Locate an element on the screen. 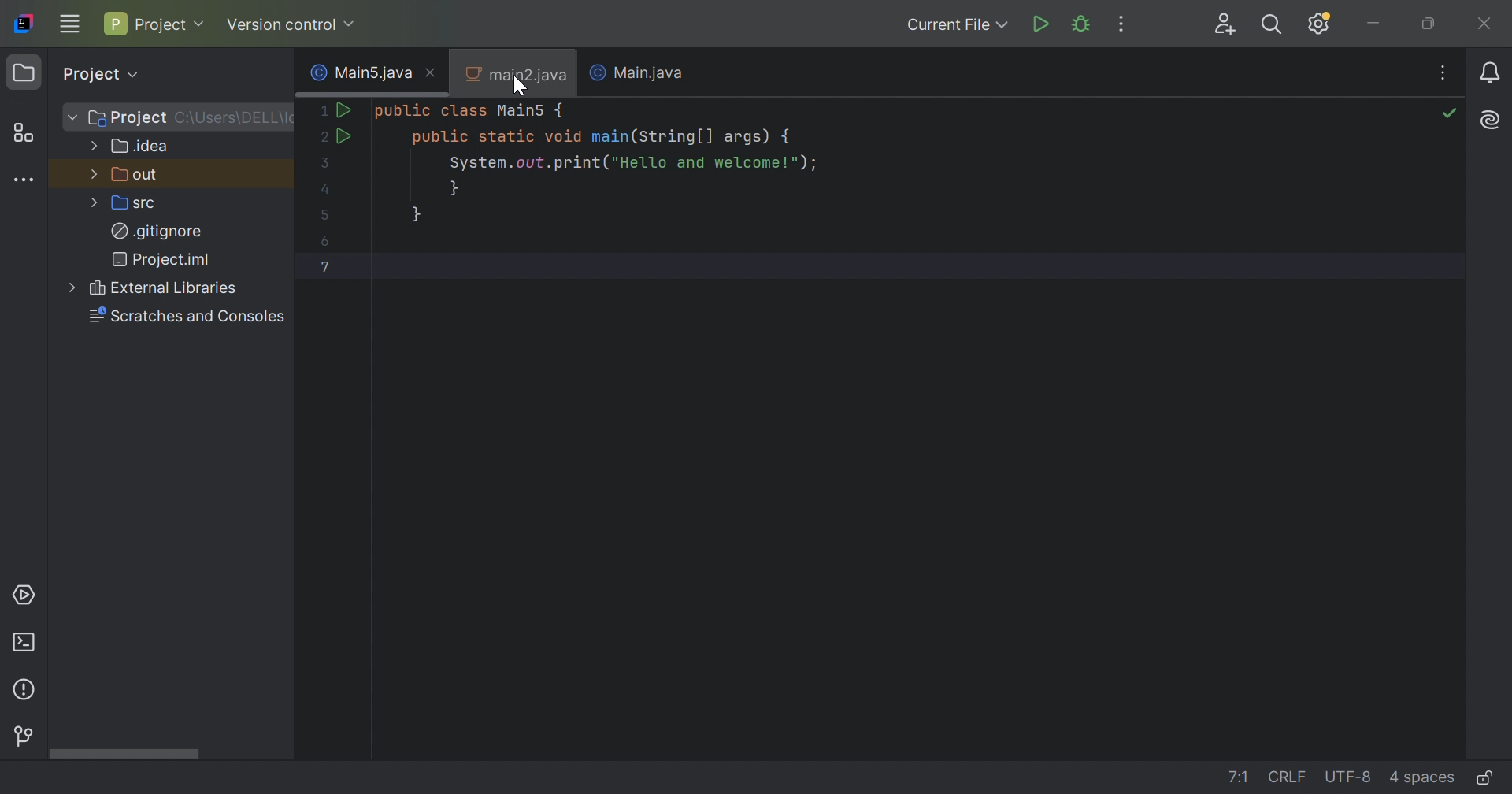  Updates available. IDE and Project Settings is located at coordinates (1321, 24).